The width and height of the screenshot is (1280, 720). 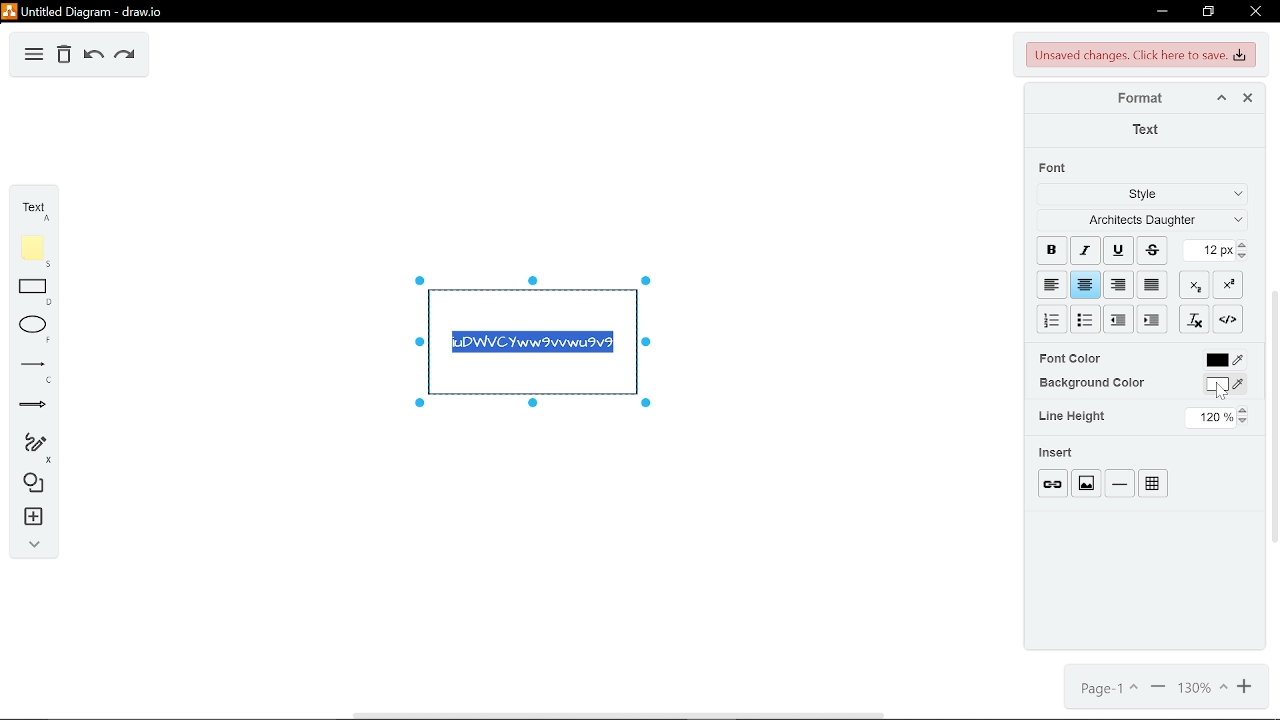 What do you see at coordinates (1140, 197) in the screenshot?
I see `style` at bounding box center [1140, 197].